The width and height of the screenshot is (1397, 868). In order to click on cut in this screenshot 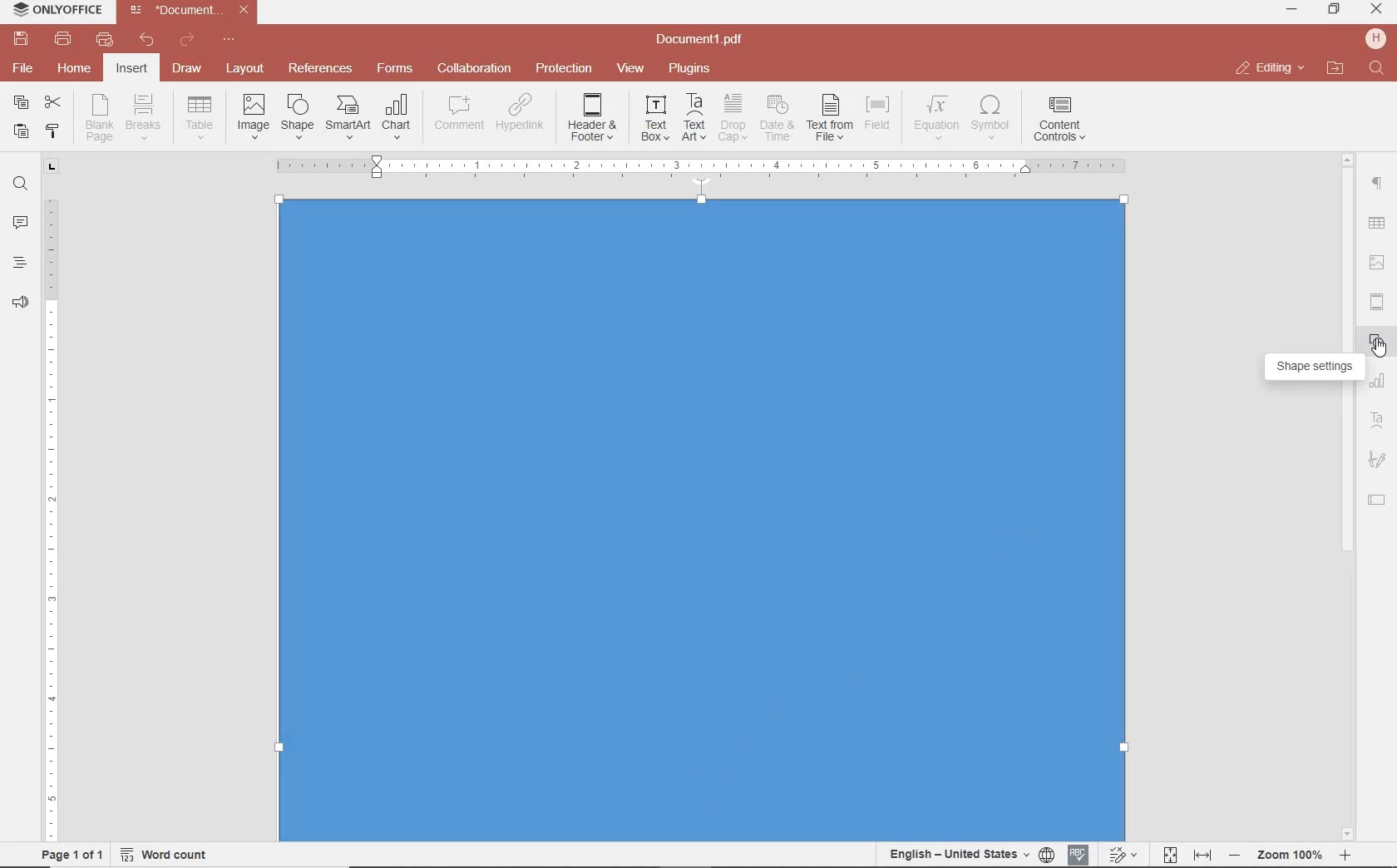, I will do `click(52, 104)`.